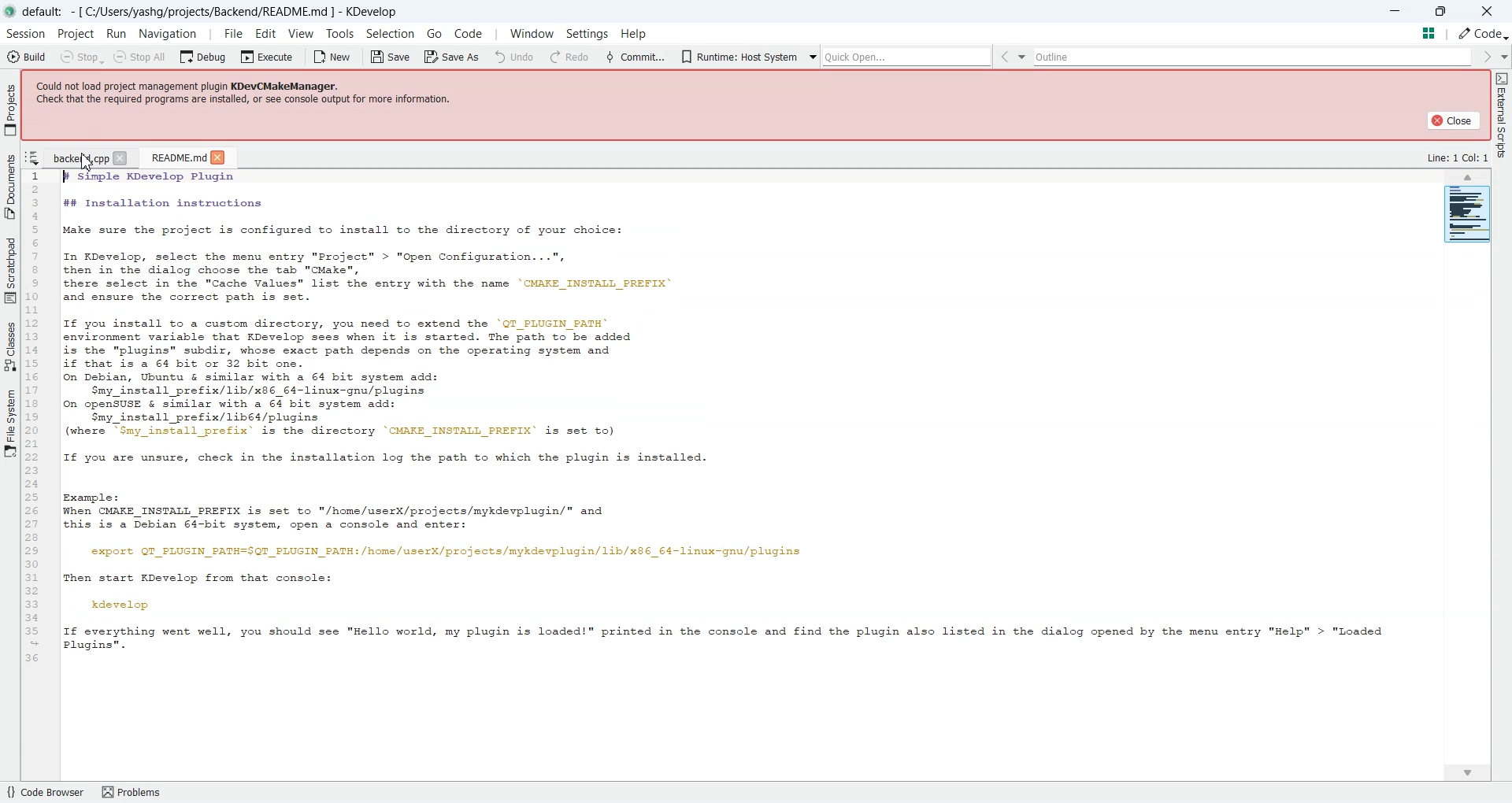 The image size is (1512, 803). What do you see at coordinates (470, 31) in the screenshot?
I see `Code` at bounding box center [470, 31].